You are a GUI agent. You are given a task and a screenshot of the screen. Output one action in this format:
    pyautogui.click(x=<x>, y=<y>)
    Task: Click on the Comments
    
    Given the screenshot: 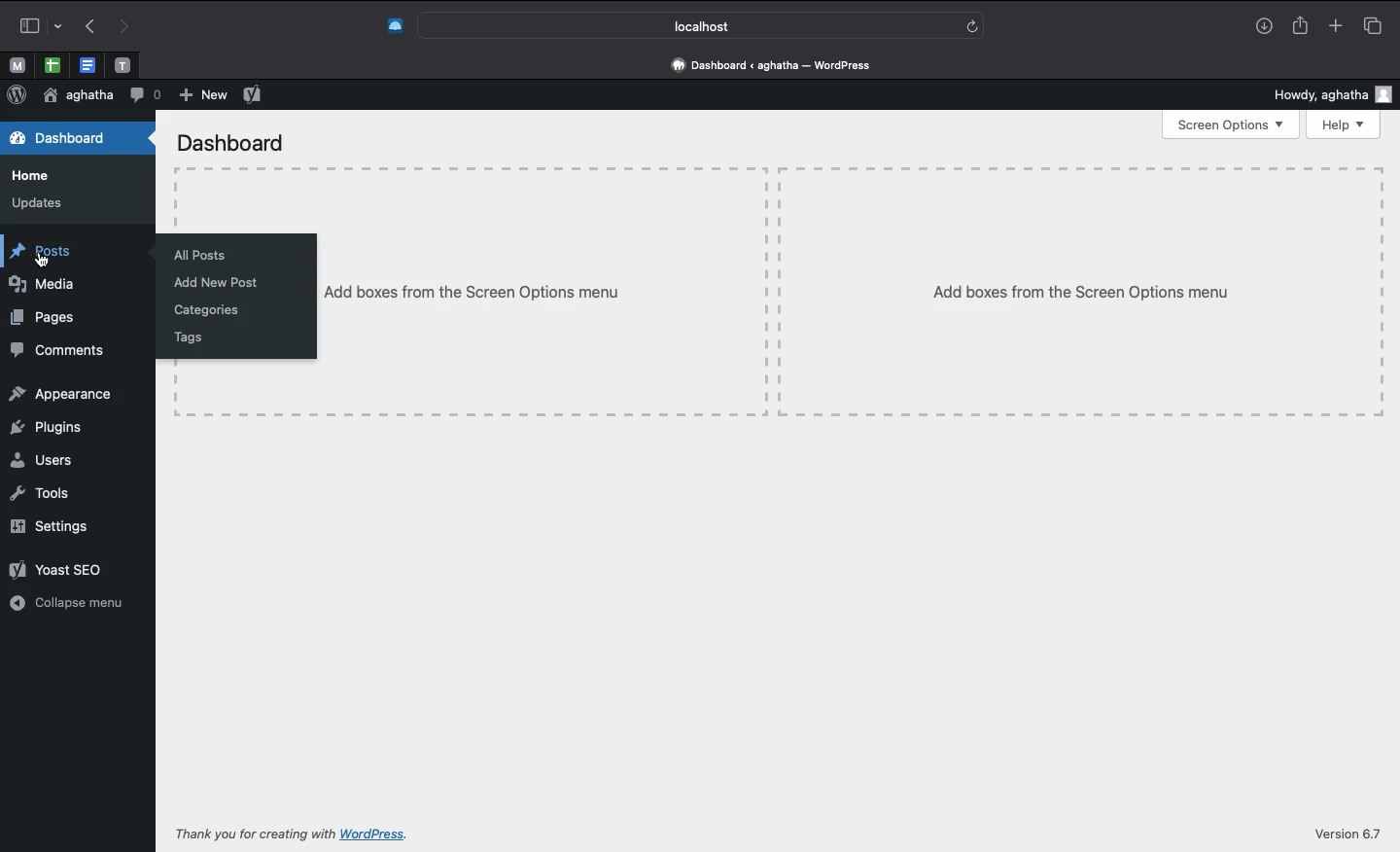 What is the action you would take?
    pyautogui.click(x=55, y=349)
    